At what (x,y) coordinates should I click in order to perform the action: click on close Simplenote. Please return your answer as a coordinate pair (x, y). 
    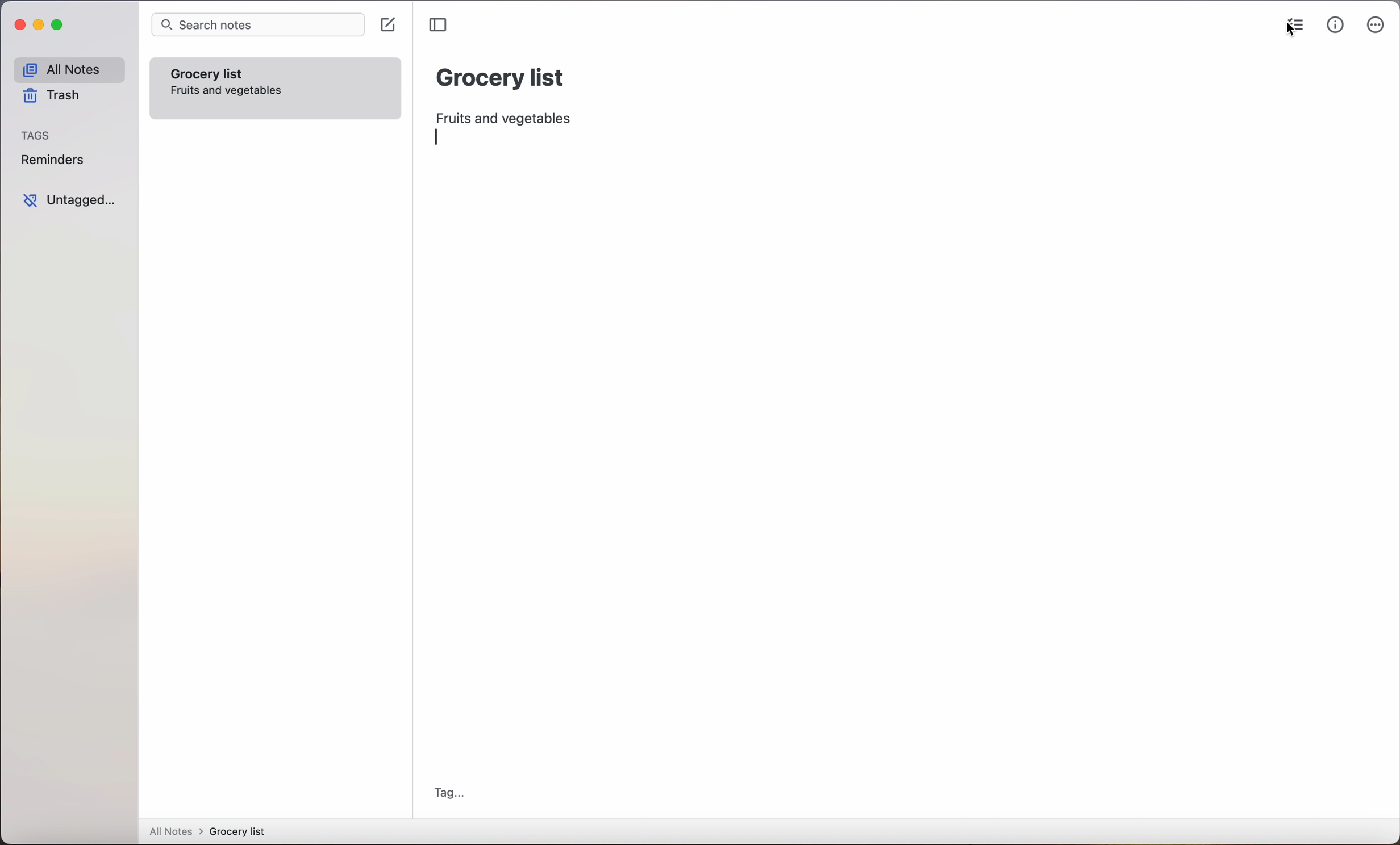
    Looking at the image, I should click on (19, 26).